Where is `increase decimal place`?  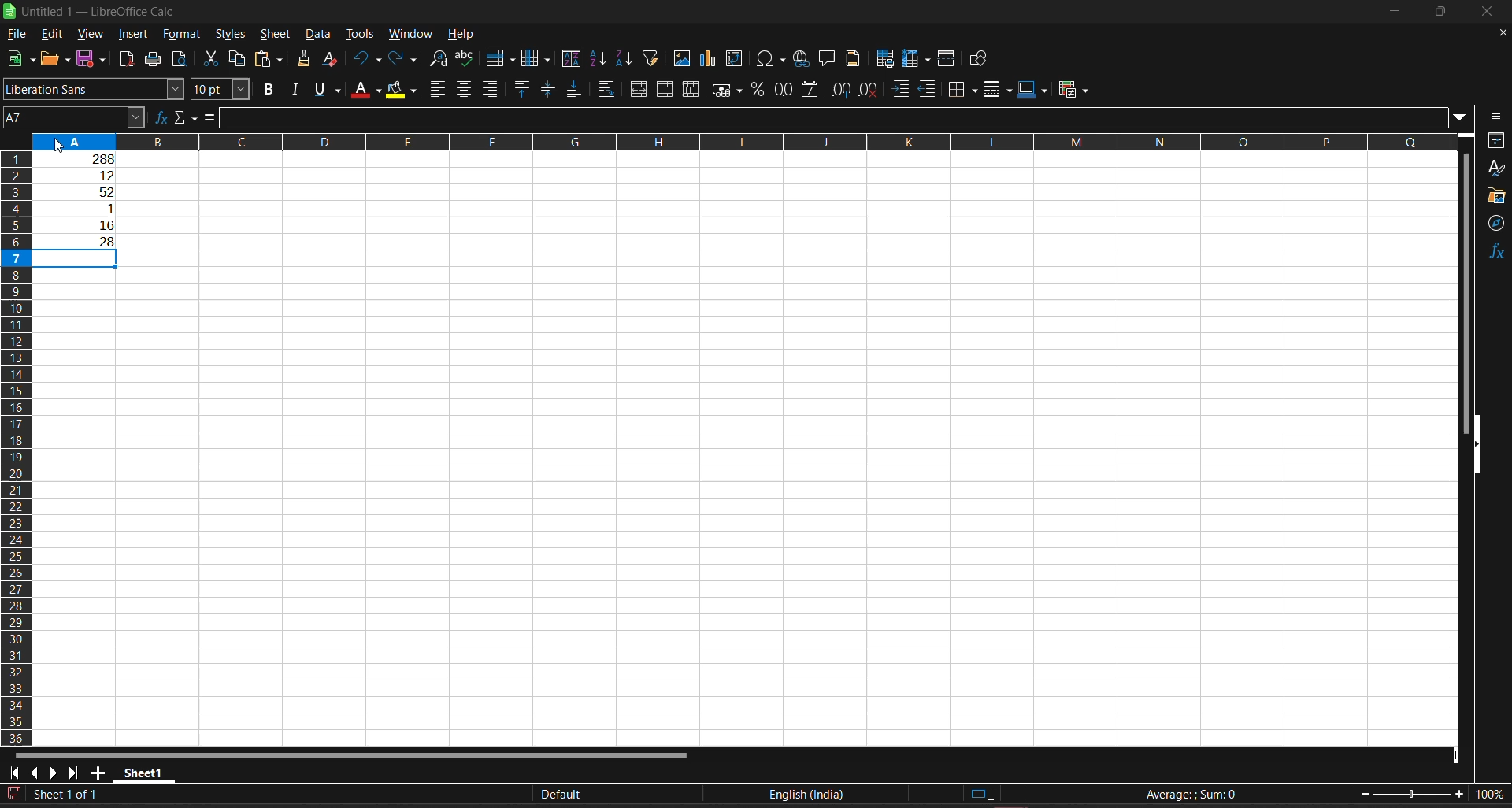
increase decimal place is located at coordinates (839, 90).